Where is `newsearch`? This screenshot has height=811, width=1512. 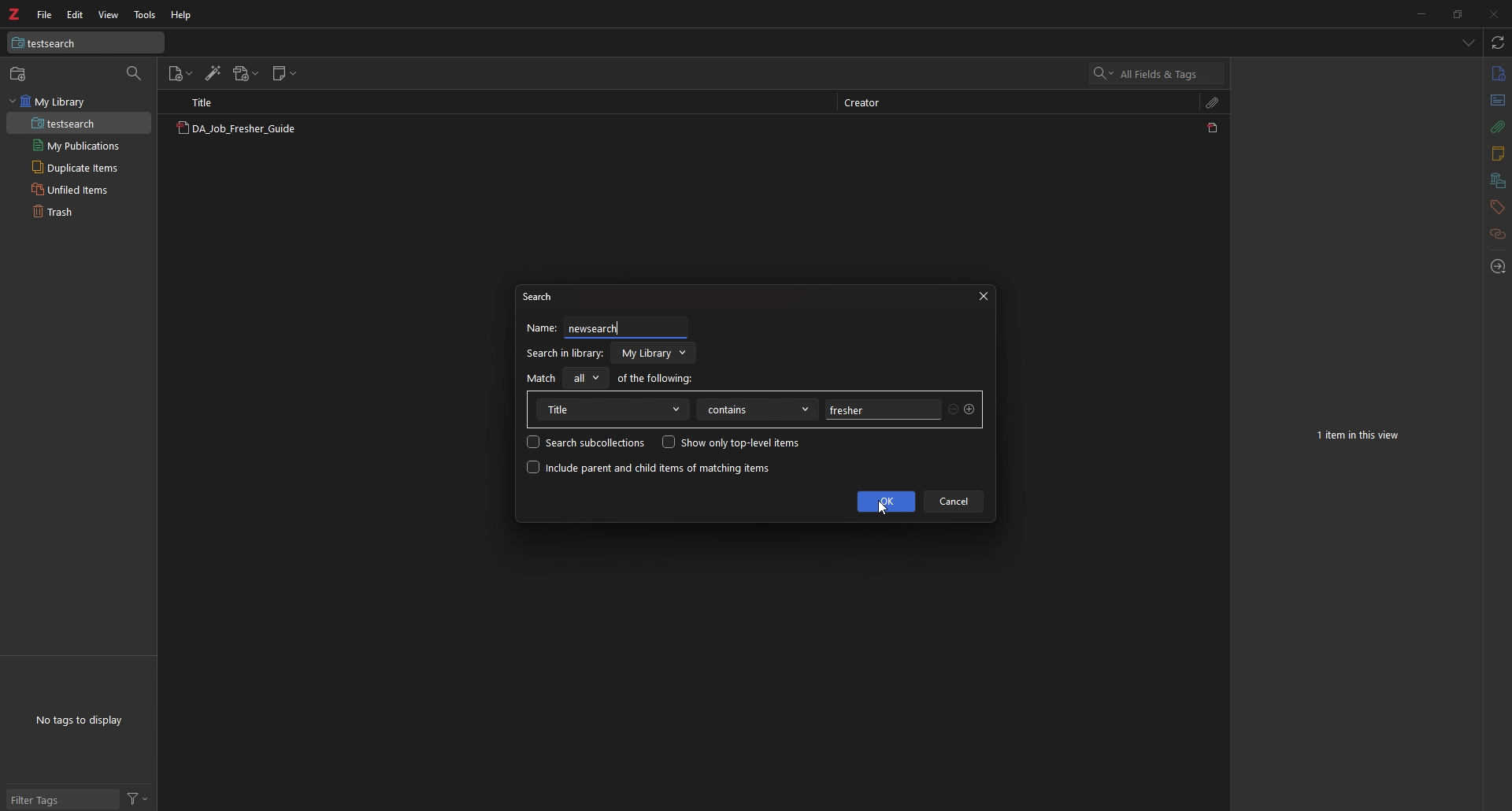
newsearch is located at coordinates (610, 327).